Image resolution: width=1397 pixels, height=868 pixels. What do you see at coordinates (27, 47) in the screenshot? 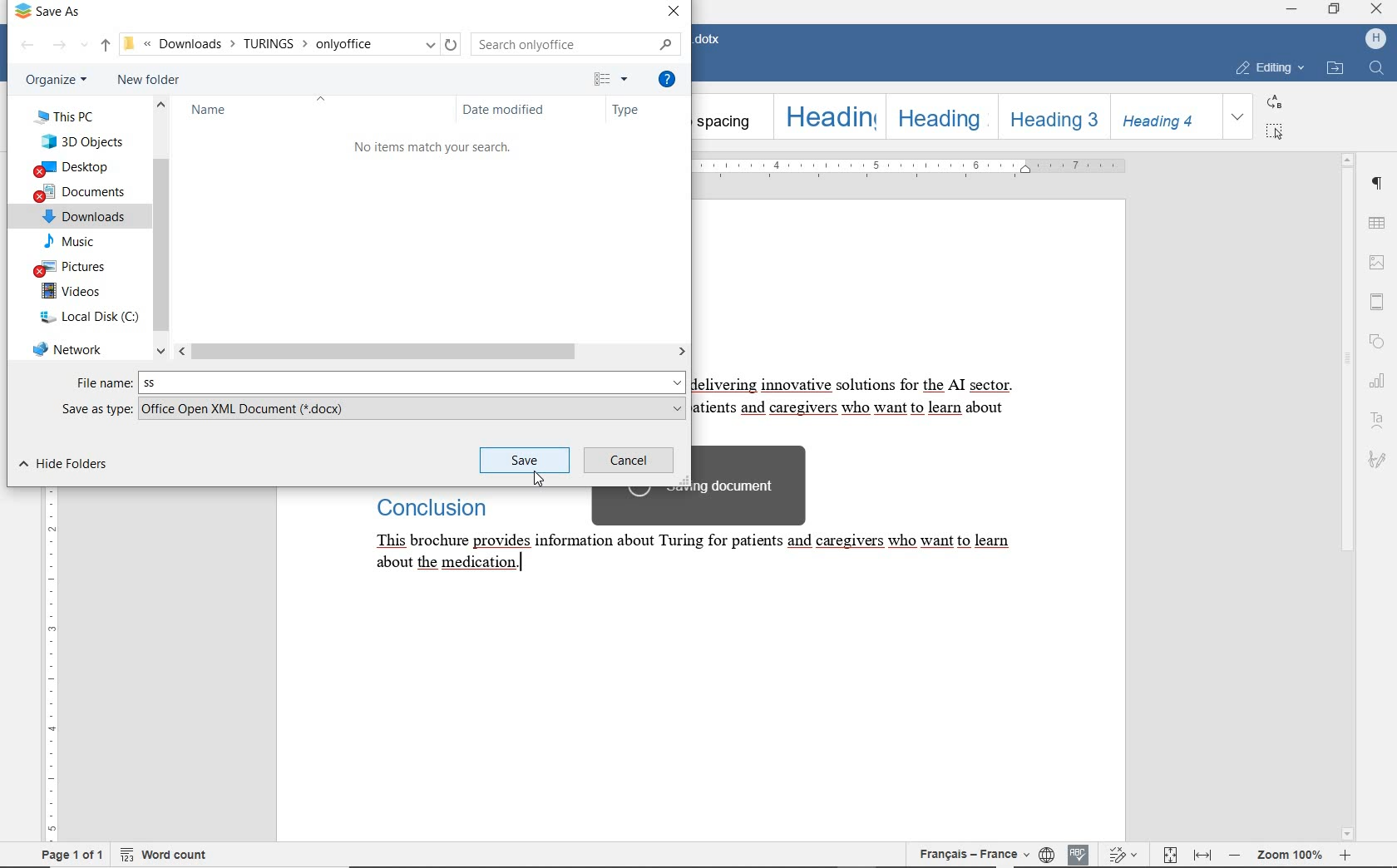
I see `BACK` at bounding box center [27, 47].